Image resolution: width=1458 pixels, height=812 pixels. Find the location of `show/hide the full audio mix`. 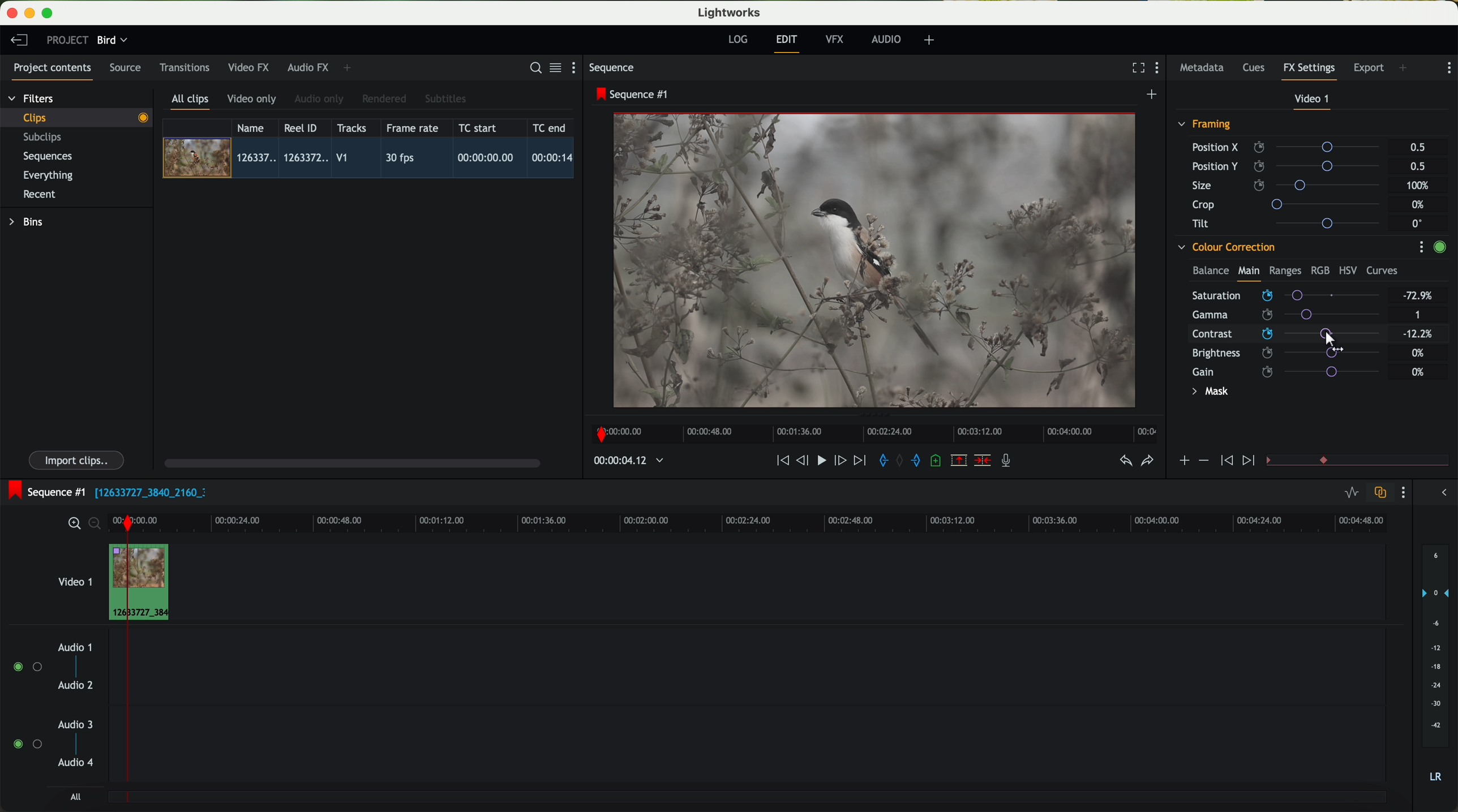

show/hide the full audio mix is located at coordinates (1440, 493).